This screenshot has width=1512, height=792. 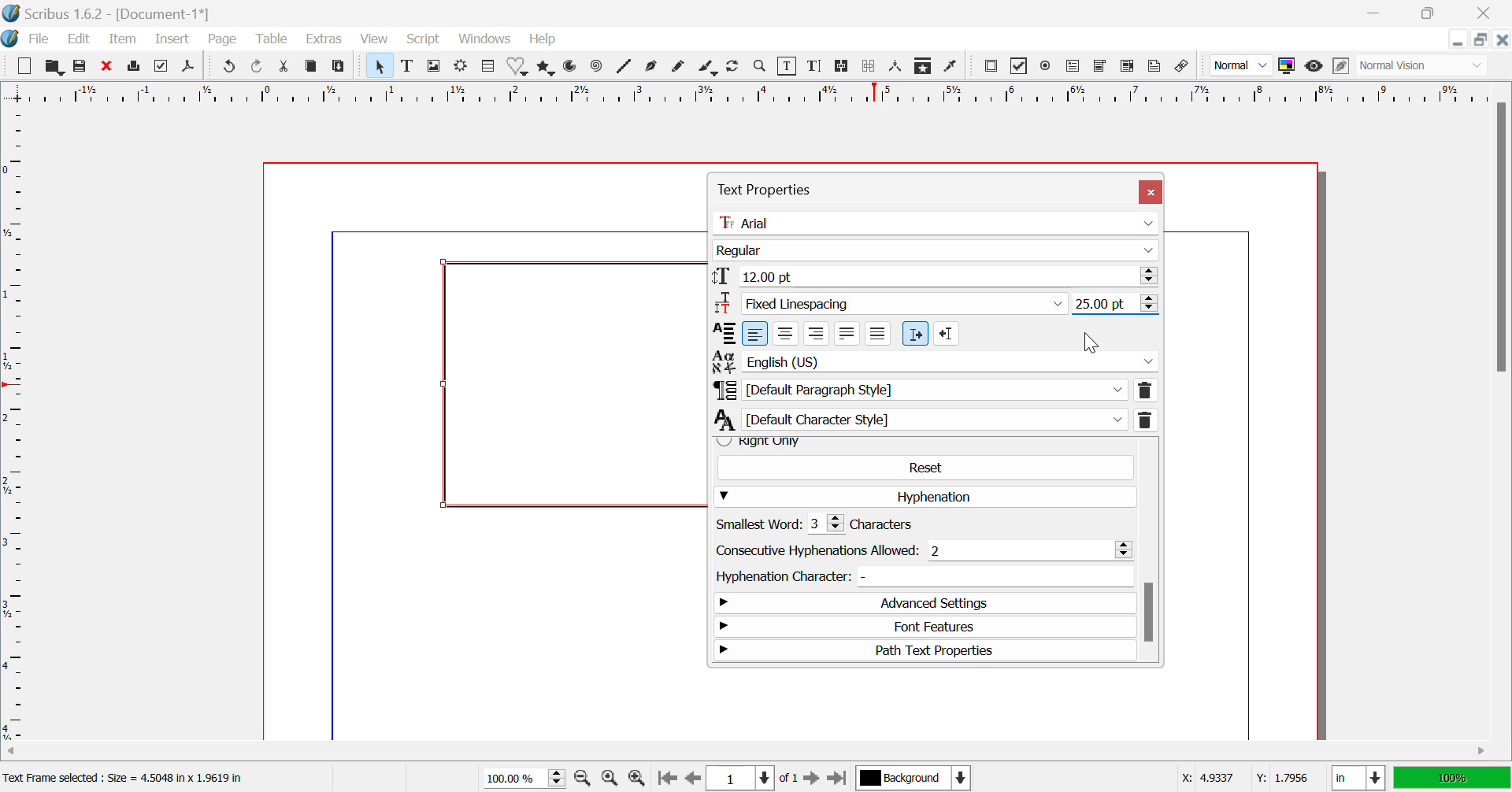 I want to click on File, so click(x=39, y=39).